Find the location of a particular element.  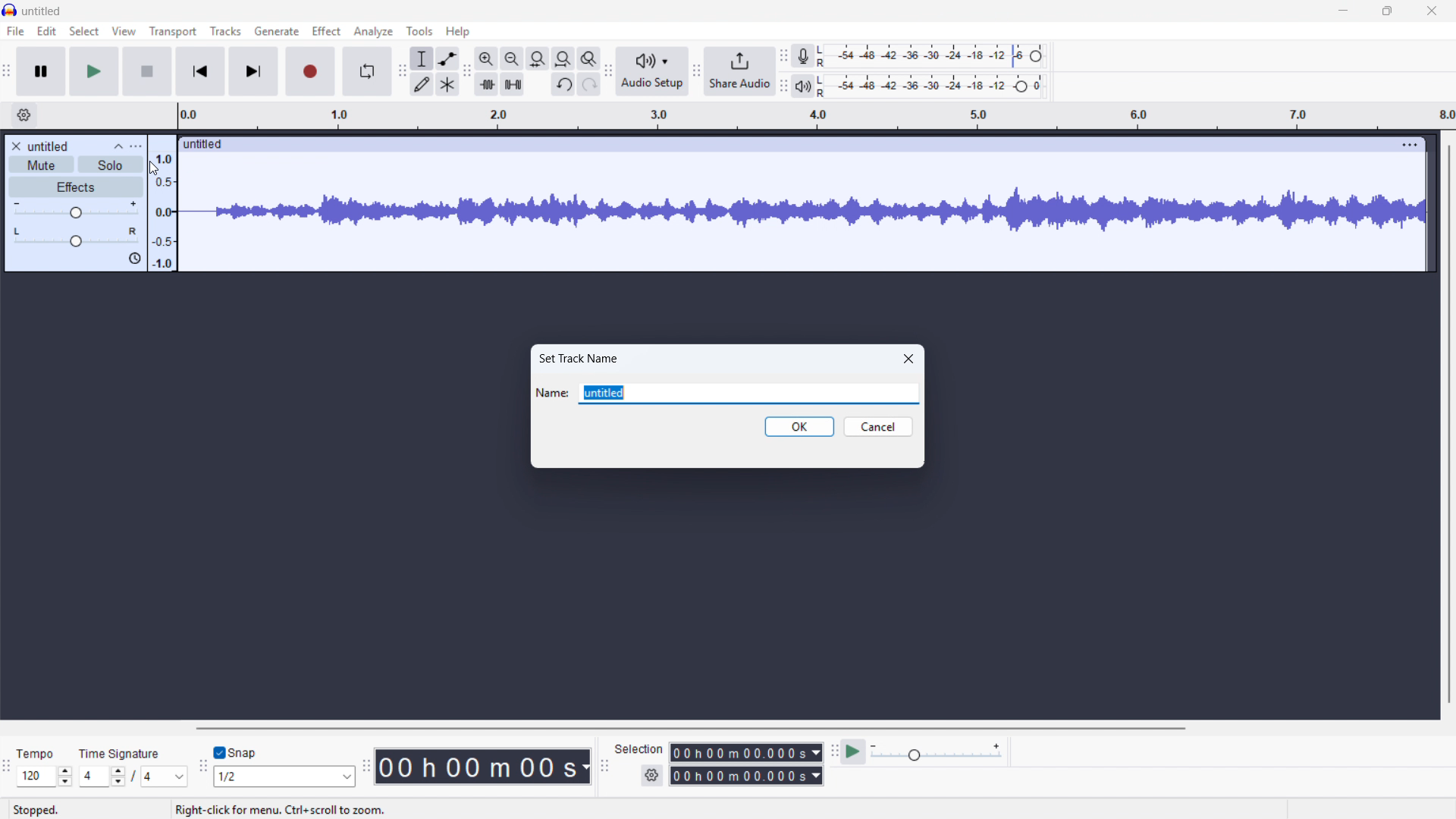

Time signature toolbar  is located at coordinates (8, 767).